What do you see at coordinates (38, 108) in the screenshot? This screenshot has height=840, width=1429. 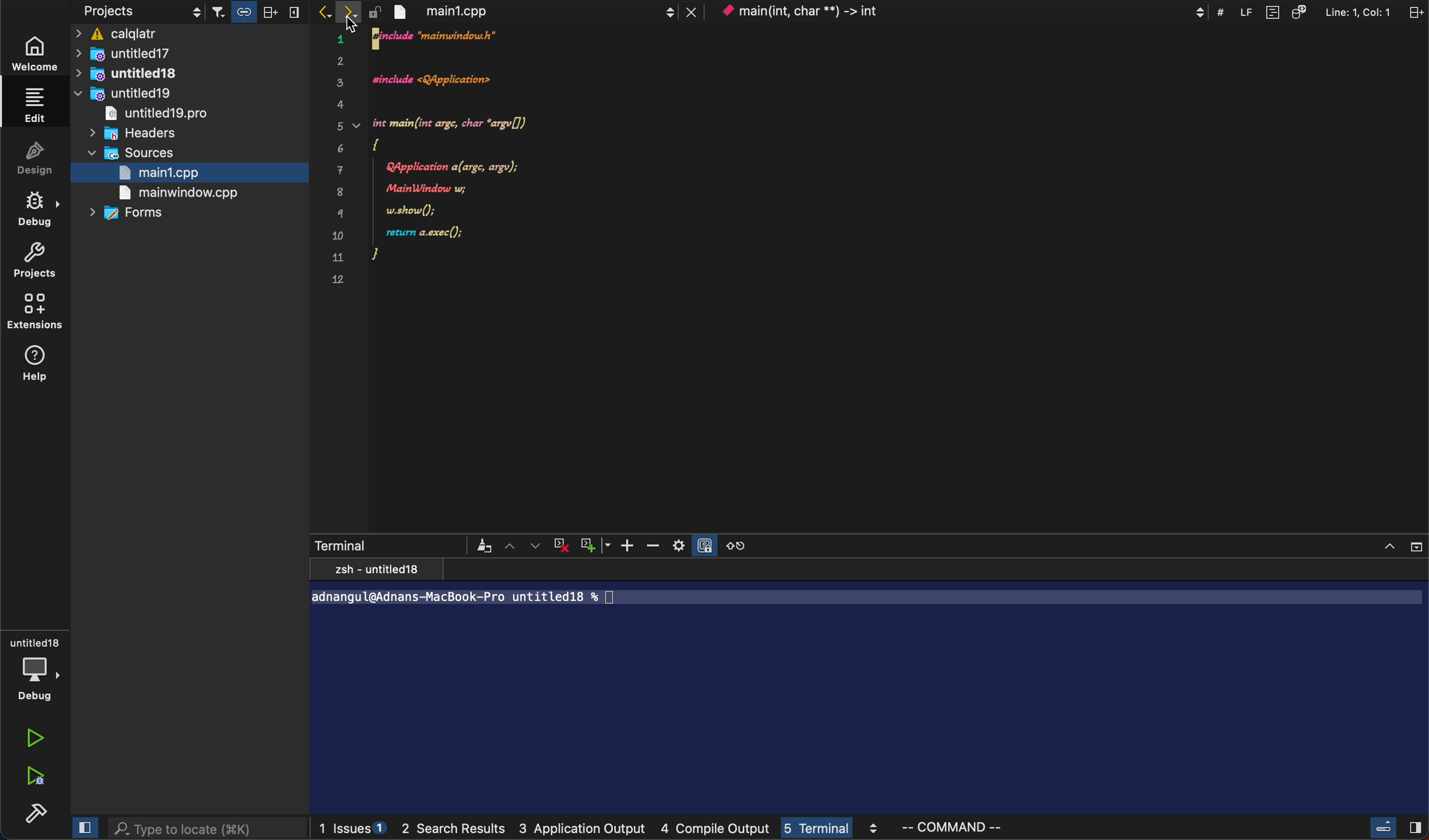 I see `edit` at bounding box center [38, 108].